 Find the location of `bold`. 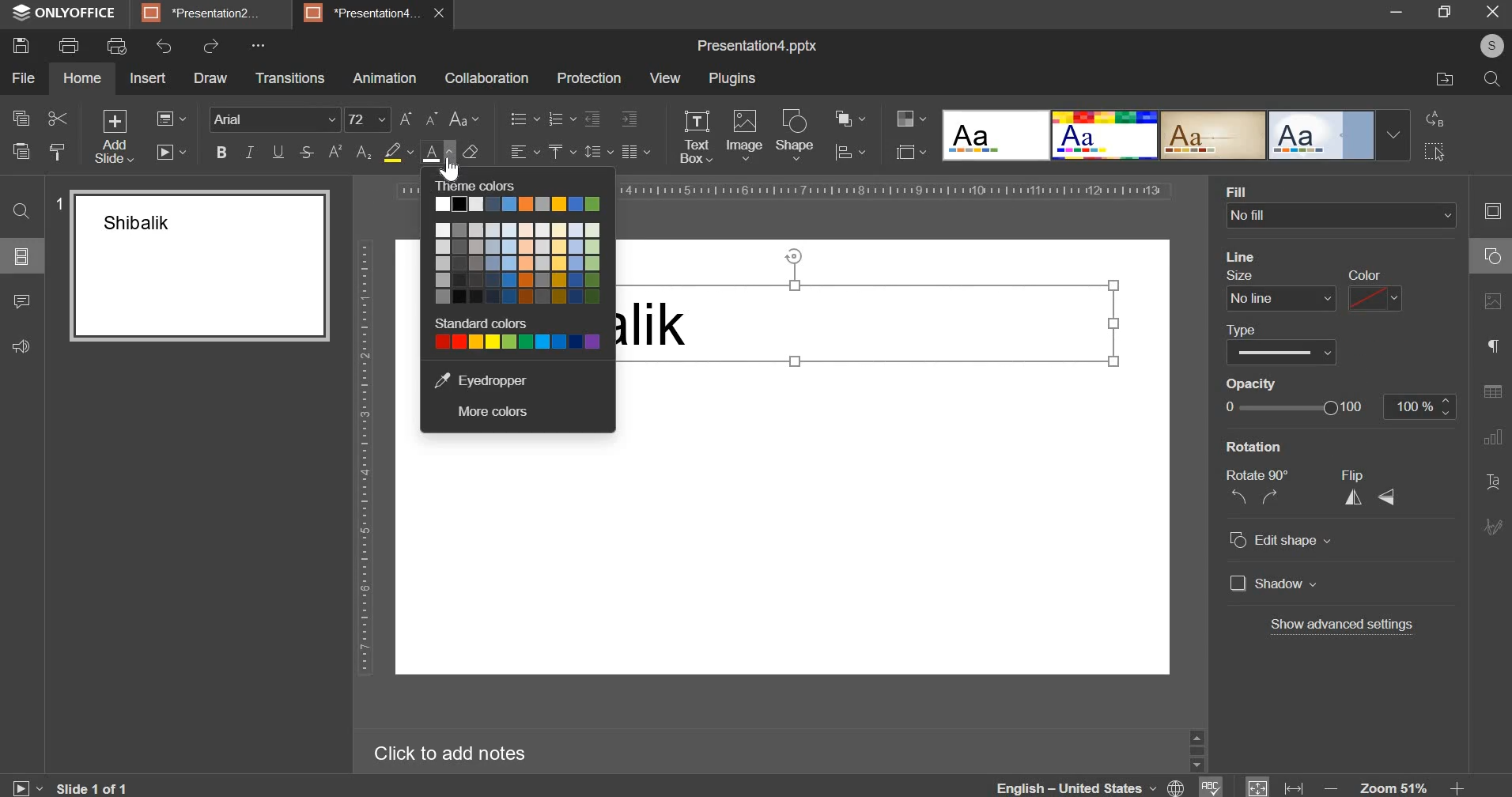

bold is located at coordinates (221, 152).